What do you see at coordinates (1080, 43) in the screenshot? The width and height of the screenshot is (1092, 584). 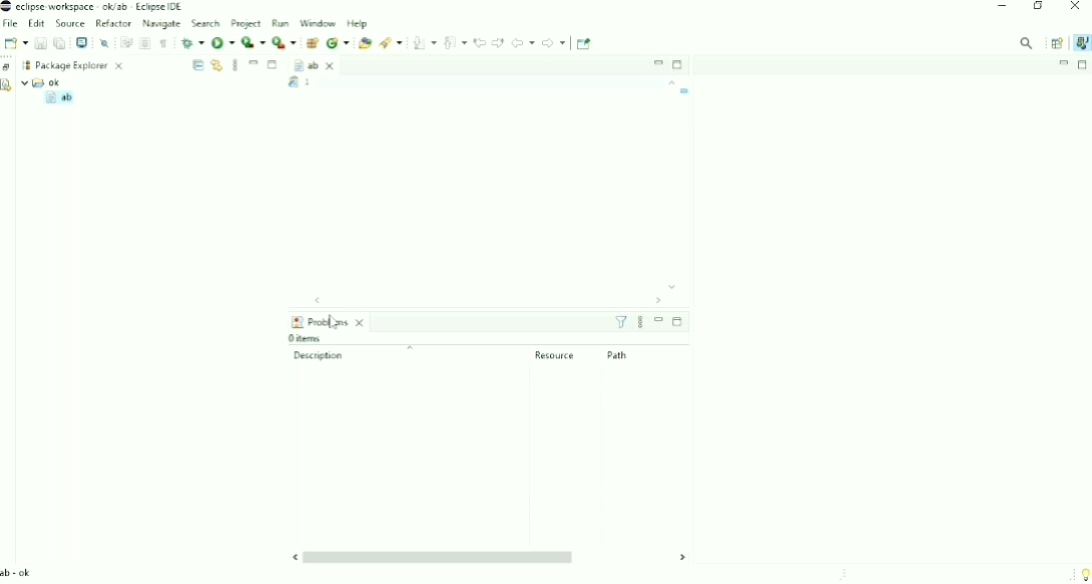 I see `Java` at bounding box center [1080, 43].